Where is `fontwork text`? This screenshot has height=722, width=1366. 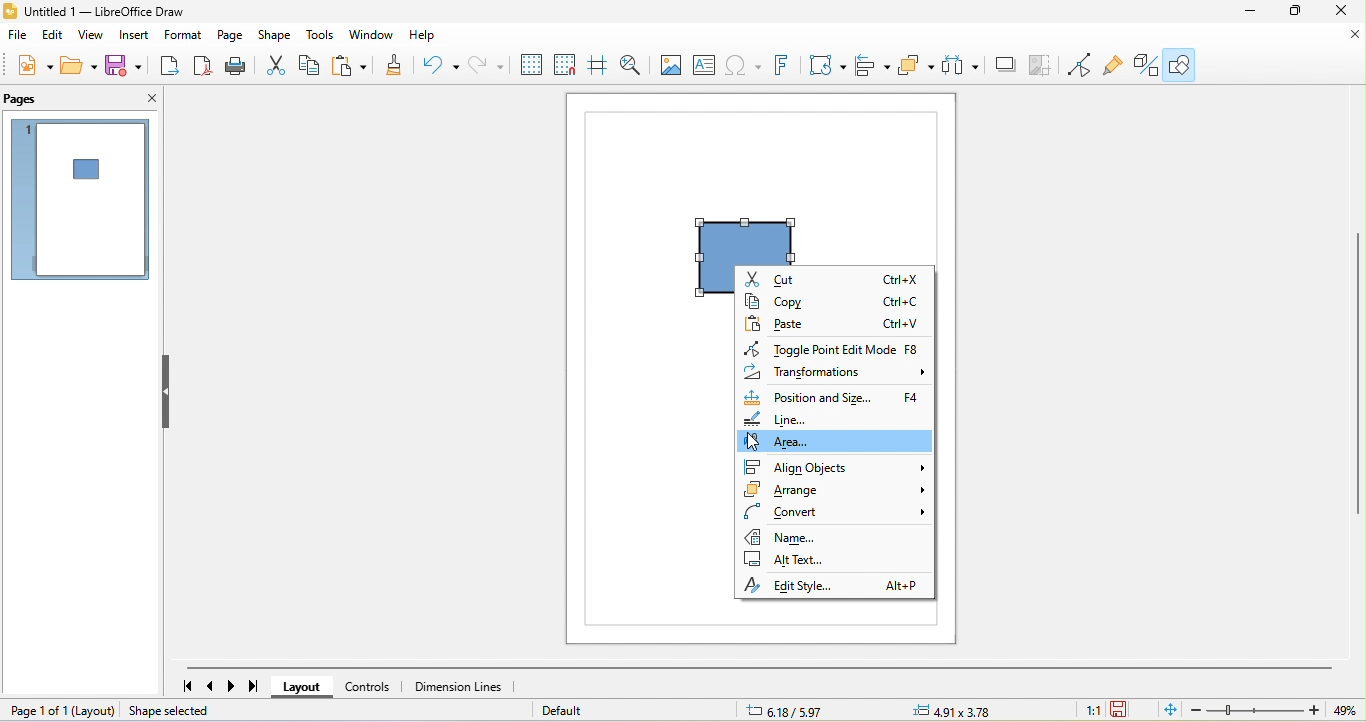 fontwork text is located at coordinates (781, 66).